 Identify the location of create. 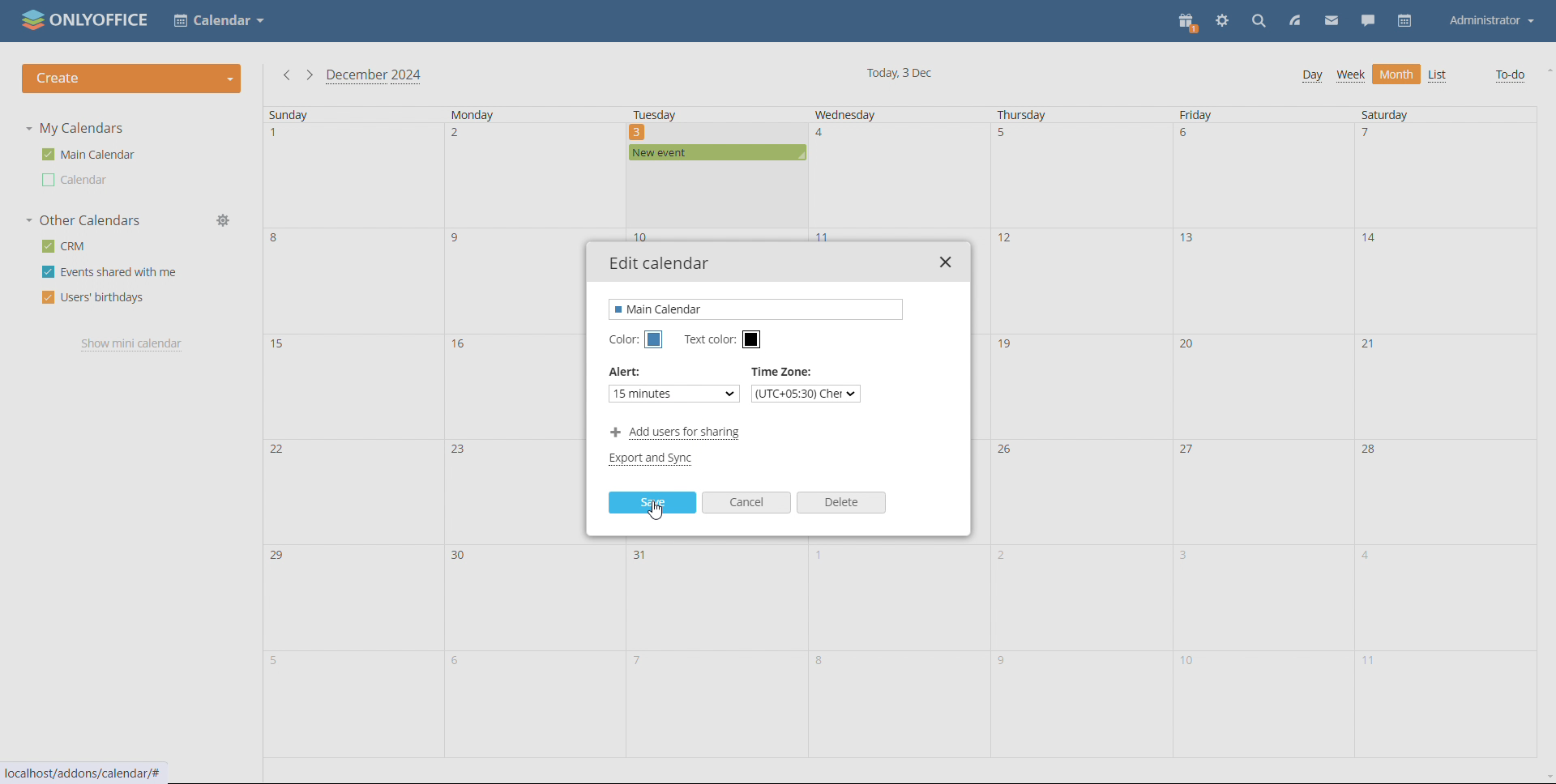
(131, 79).